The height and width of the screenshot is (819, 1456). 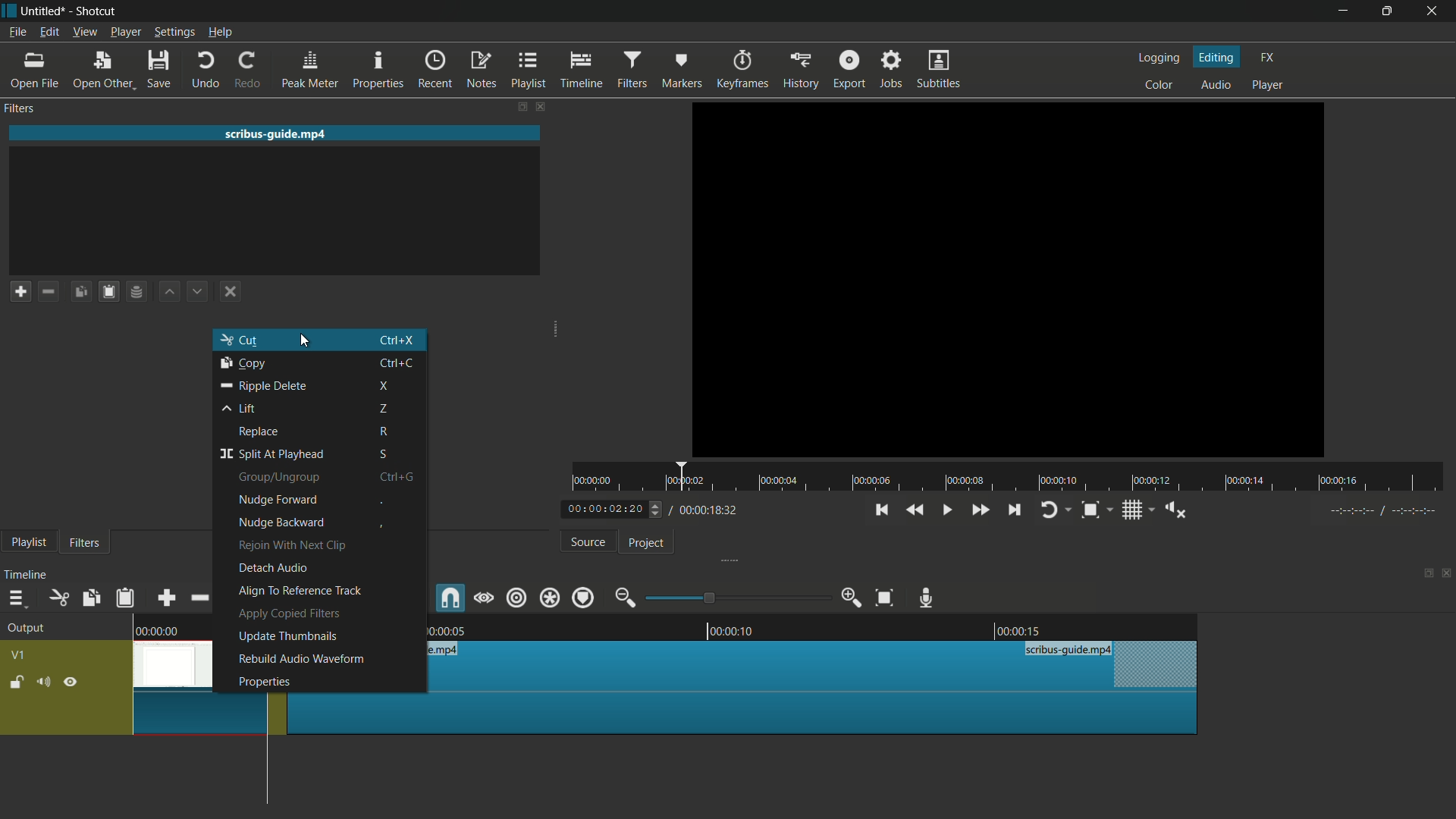 What do you see at coordinates (300, 591) in the screenshot?
I see `align to reference track` at bounding box center [300, 591].